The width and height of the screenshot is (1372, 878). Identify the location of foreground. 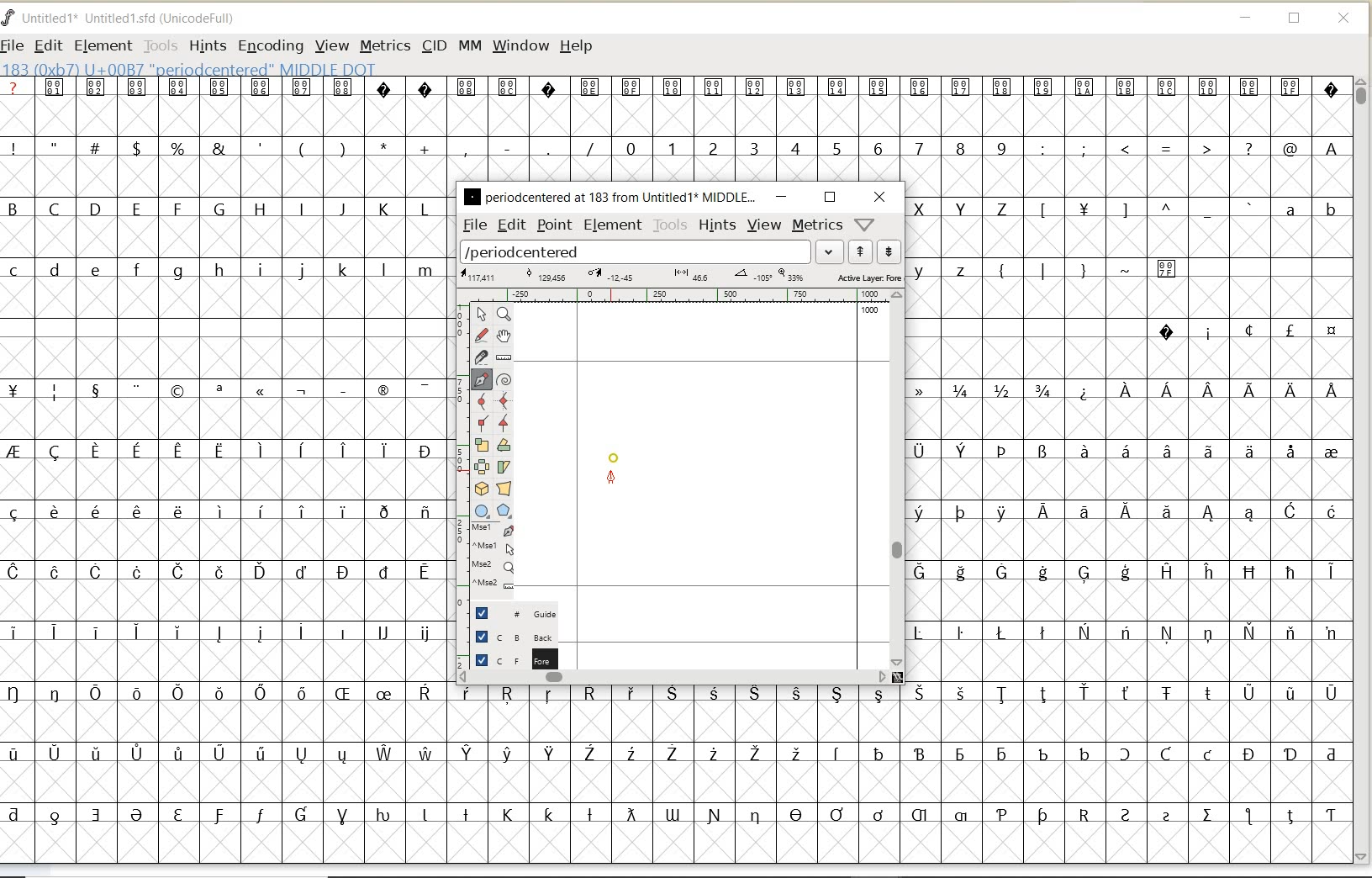
(510, 658).